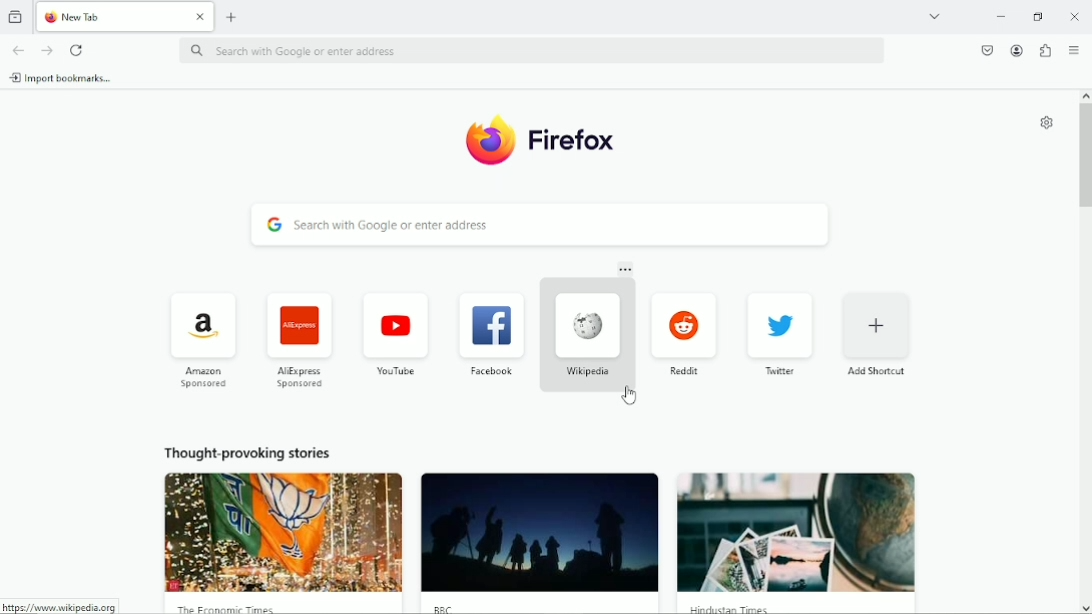 The image size is (1092, 614). What do you see at coordinates (1002, 15) in the screenshot?
I see `Minimize` at bounding box center [1002, 15].